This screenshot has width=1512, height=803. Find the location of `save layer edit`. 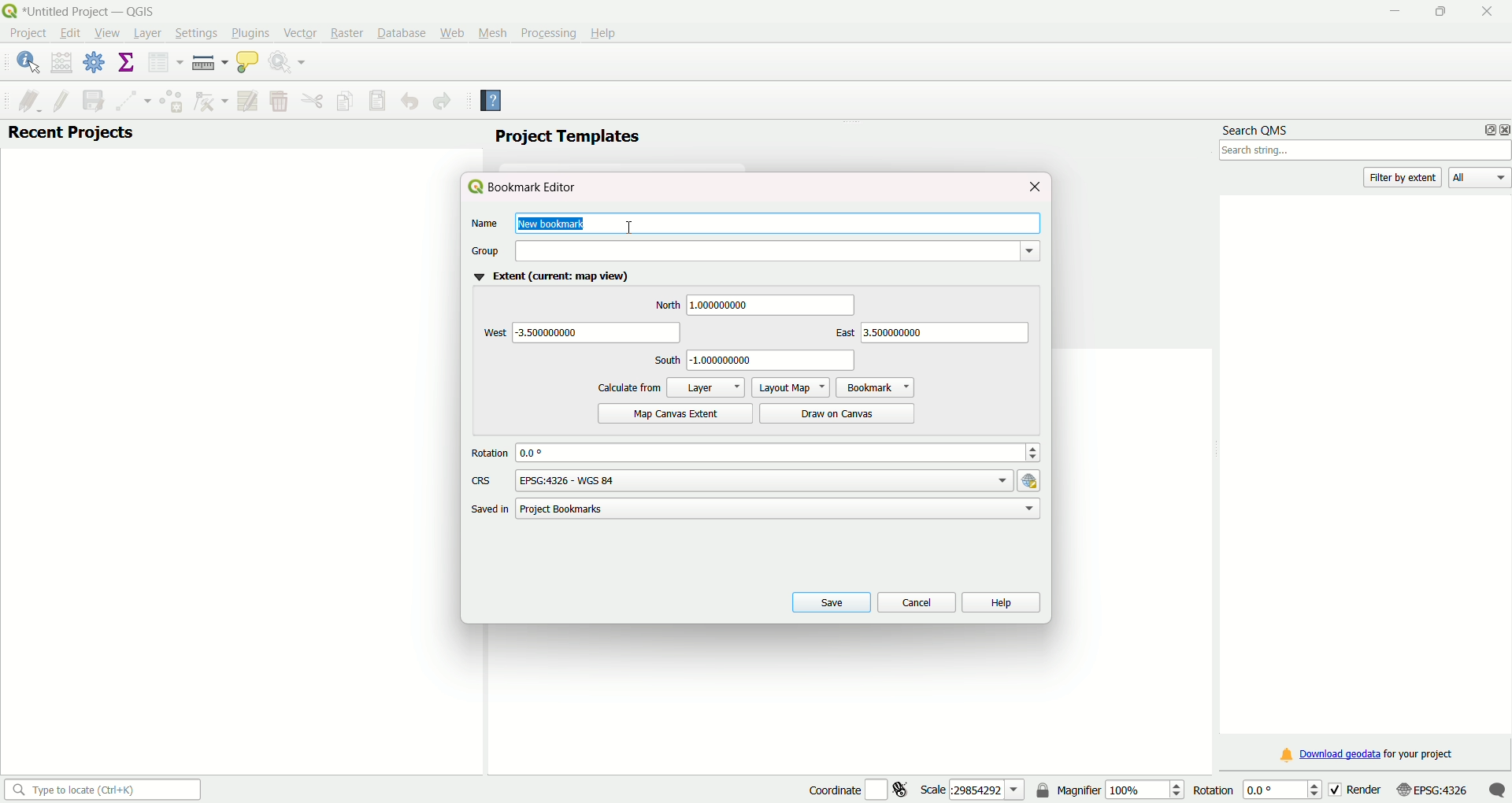

save layer edit is located at coordinates (91, 99).